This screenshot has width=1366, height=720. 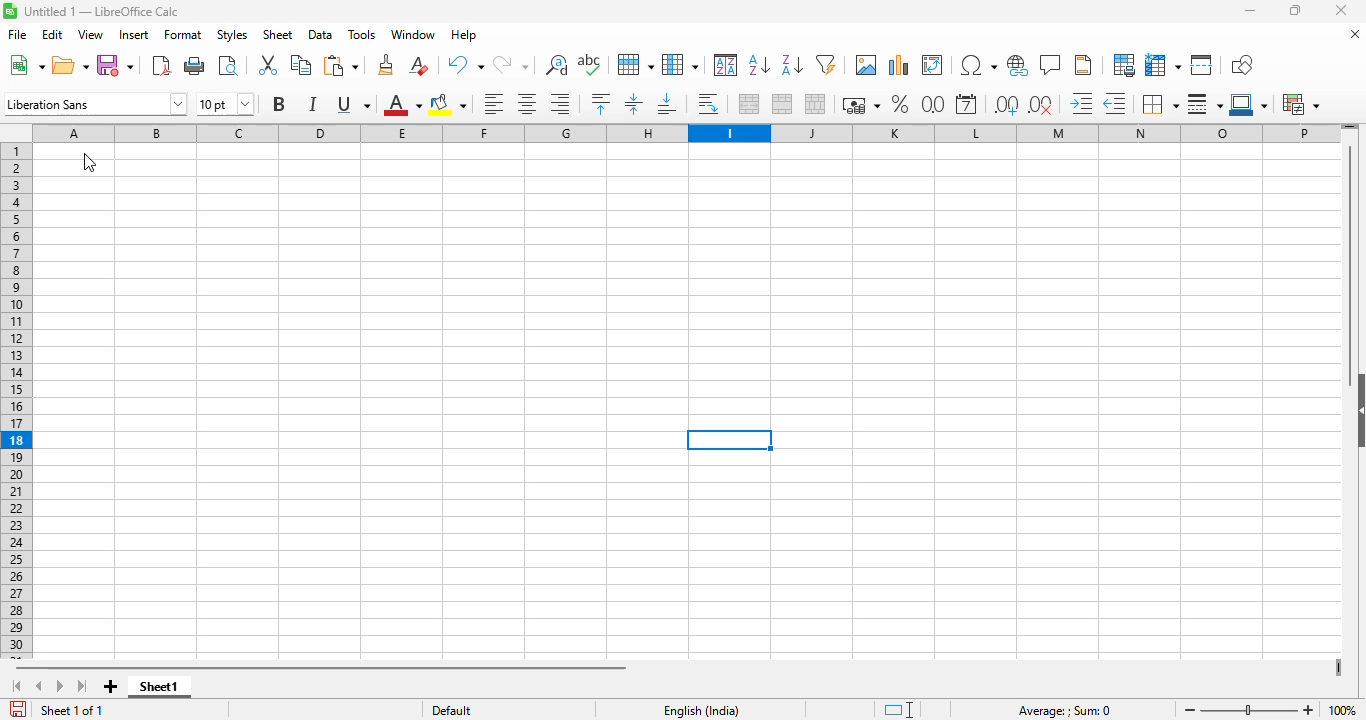 I want to click on spelling, so click(x=589, y=64).